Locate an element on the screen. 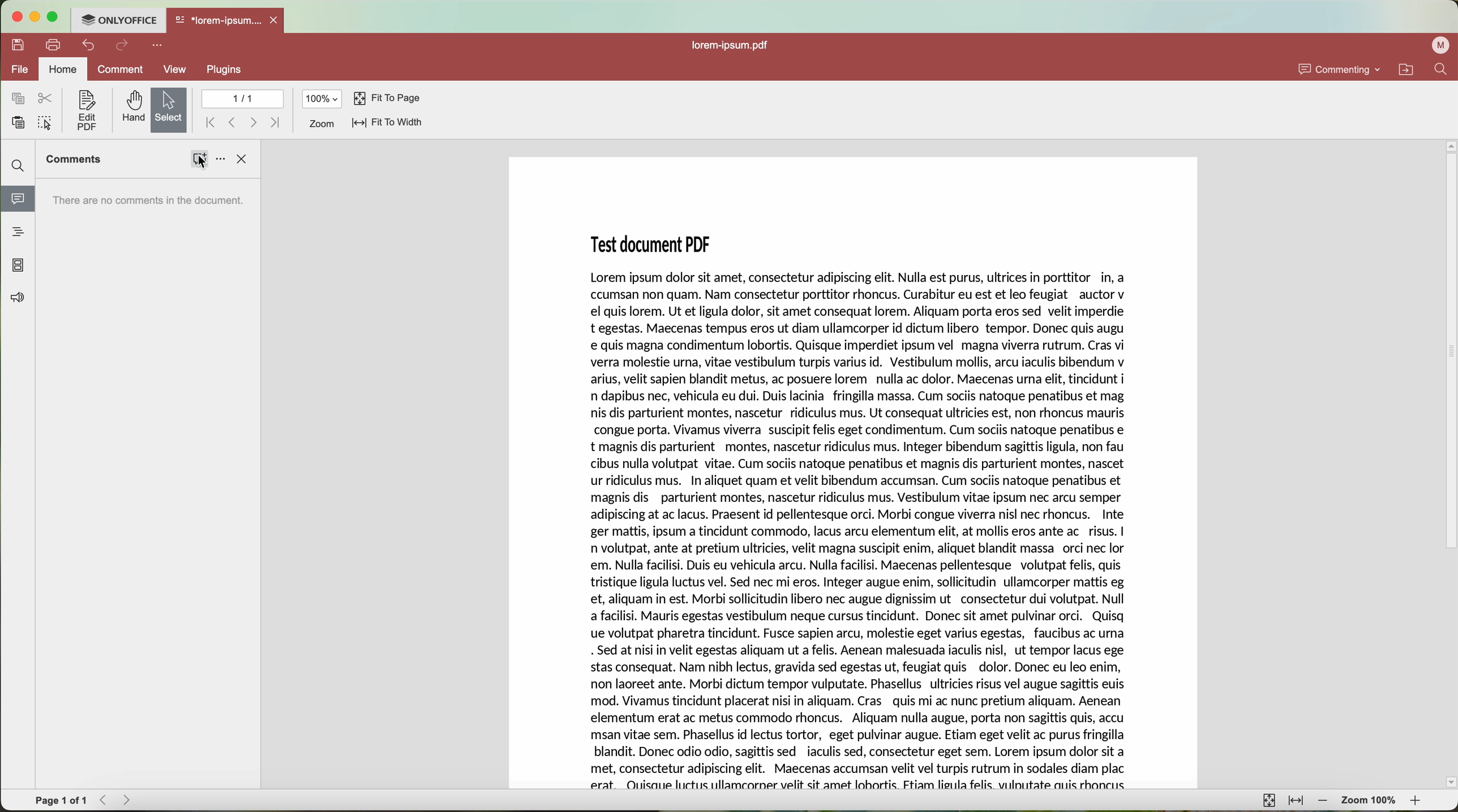 This screenshot has width=1458, height=812. page thumbnails is located at coordinates (18, 266).